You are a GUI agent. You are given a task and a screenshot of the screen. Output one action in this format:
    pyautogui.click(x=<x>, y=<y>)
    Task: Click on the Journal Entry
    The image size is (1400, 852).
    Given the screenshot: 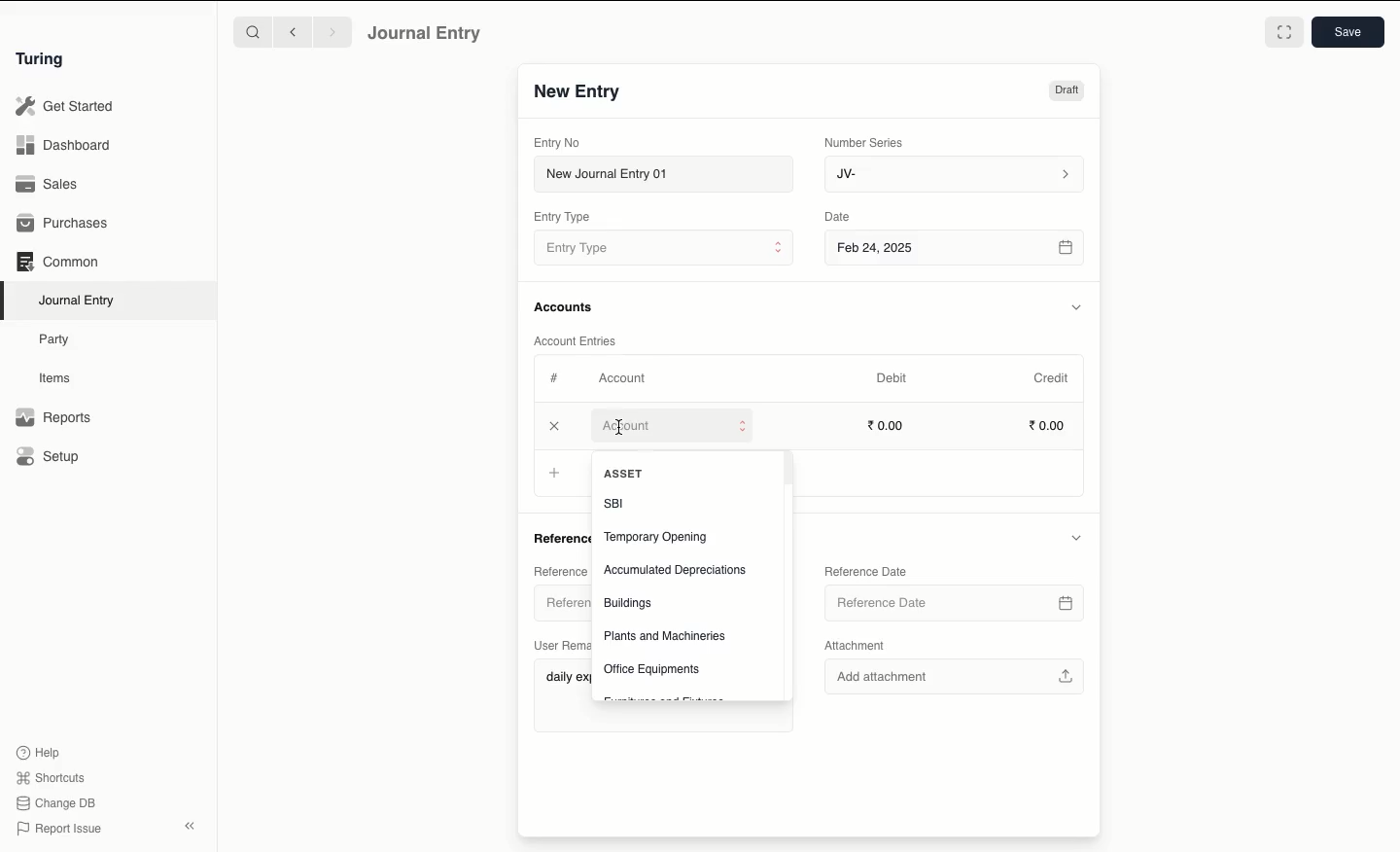 What is the action you would take?
    pyautogui.click(x=78, y=302)
    